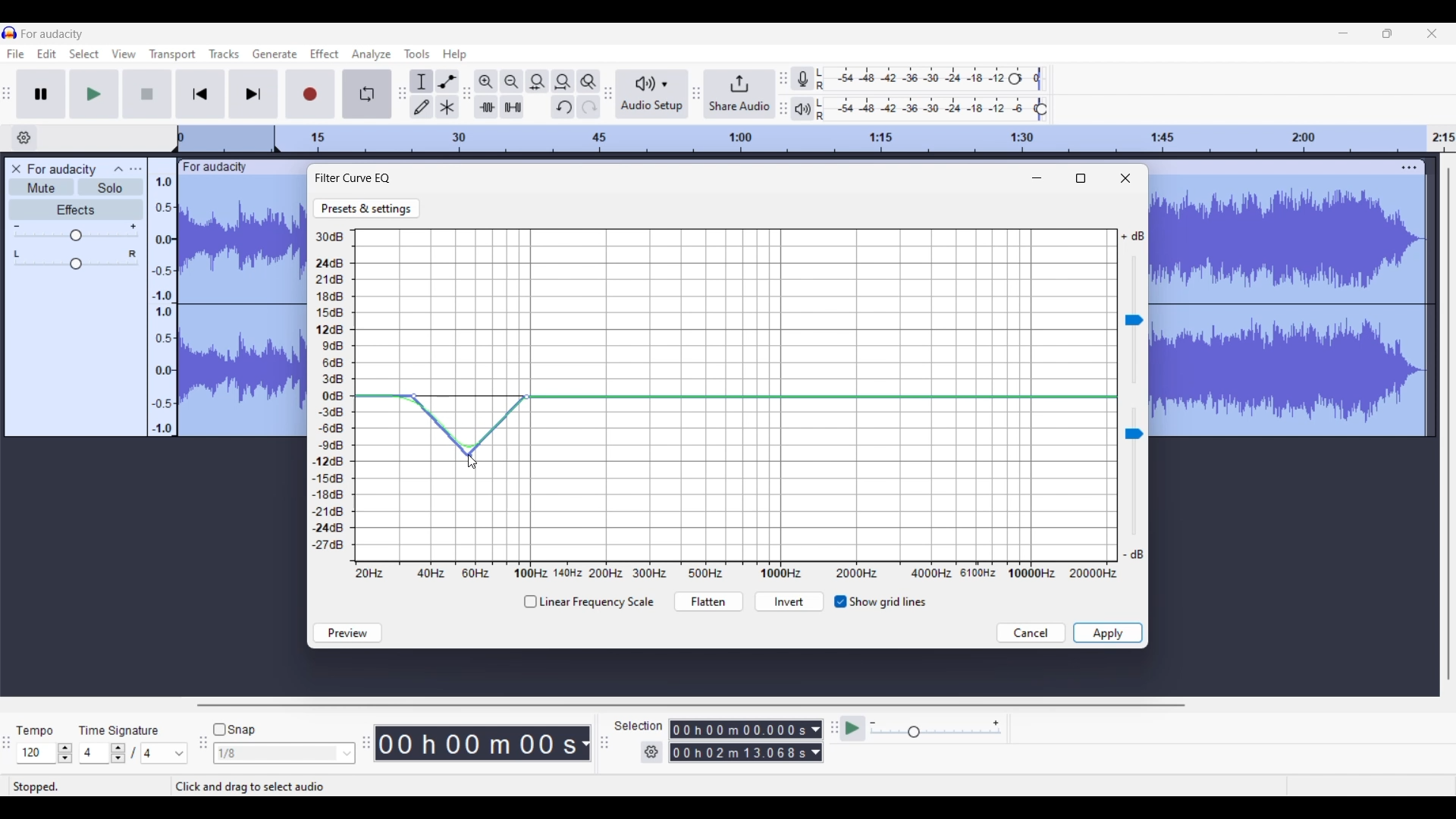 This screenshot has height=819, width=1456. Describe the element at coordinates (478, 744) in the screenshot. I see `Duration of recorded audio` at that location.